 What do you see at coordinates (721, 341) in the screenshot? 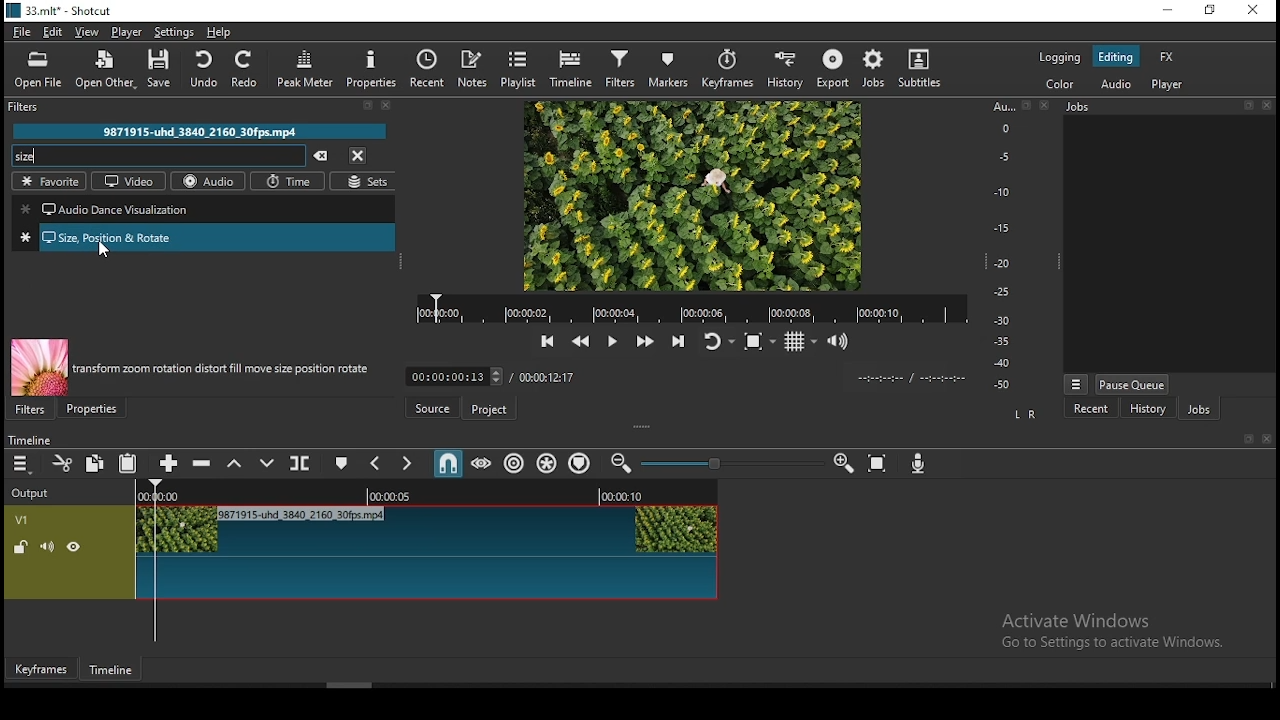
I see `toggle player looping` at bounding box center [721, 341].